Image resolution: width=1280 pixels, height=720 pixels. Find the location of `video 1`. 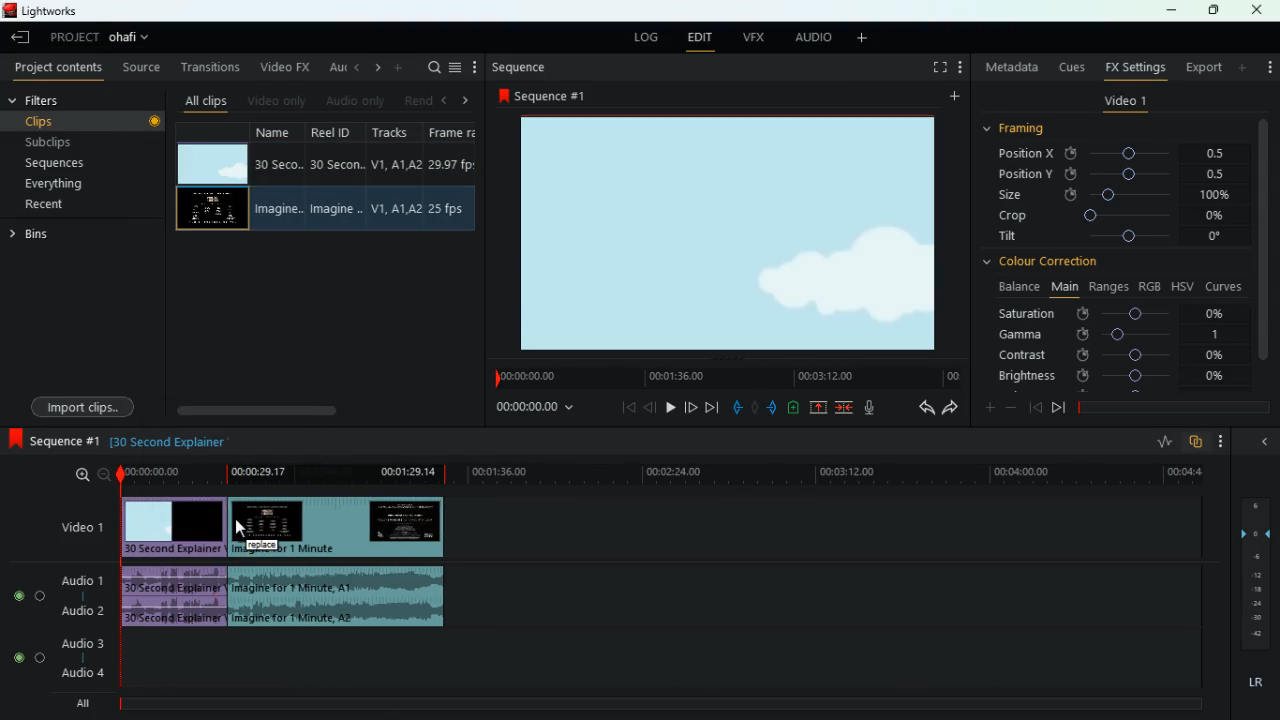

video 1 is located at coordinates (79, 529).